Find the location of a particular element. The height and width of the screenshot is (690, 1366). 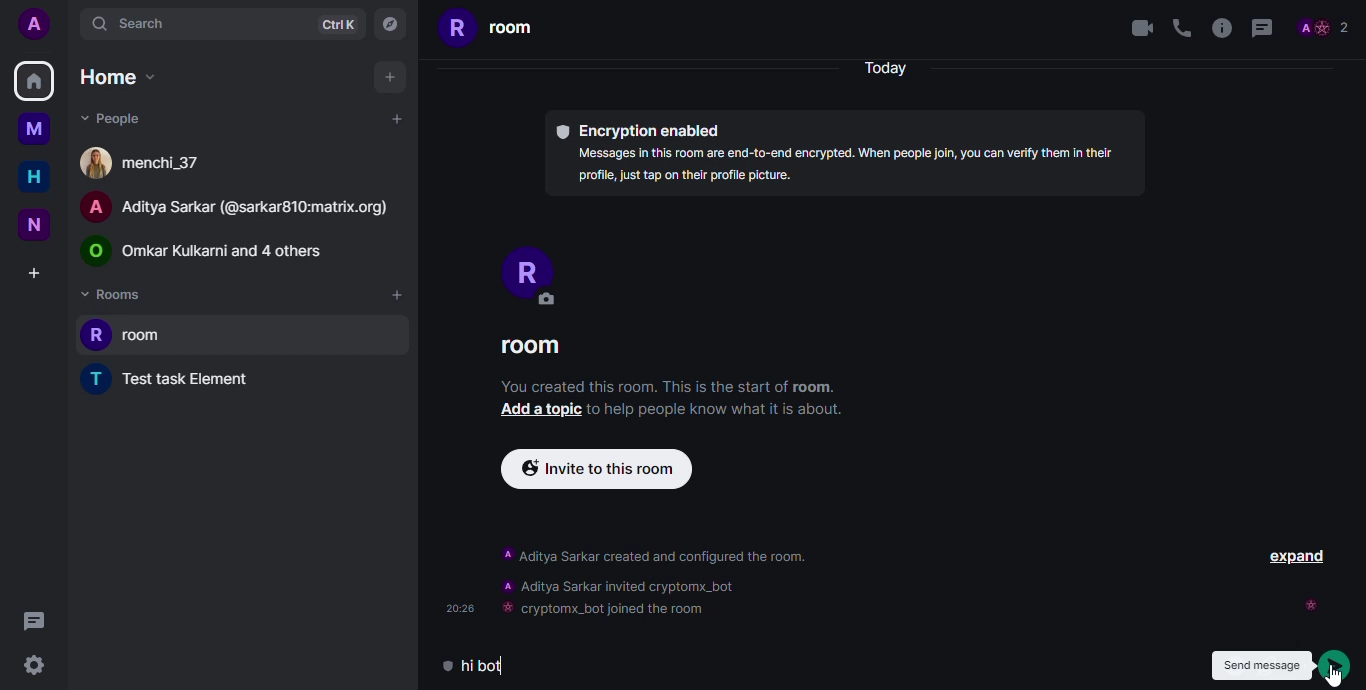

create a space is located at coordinates (35, 271).